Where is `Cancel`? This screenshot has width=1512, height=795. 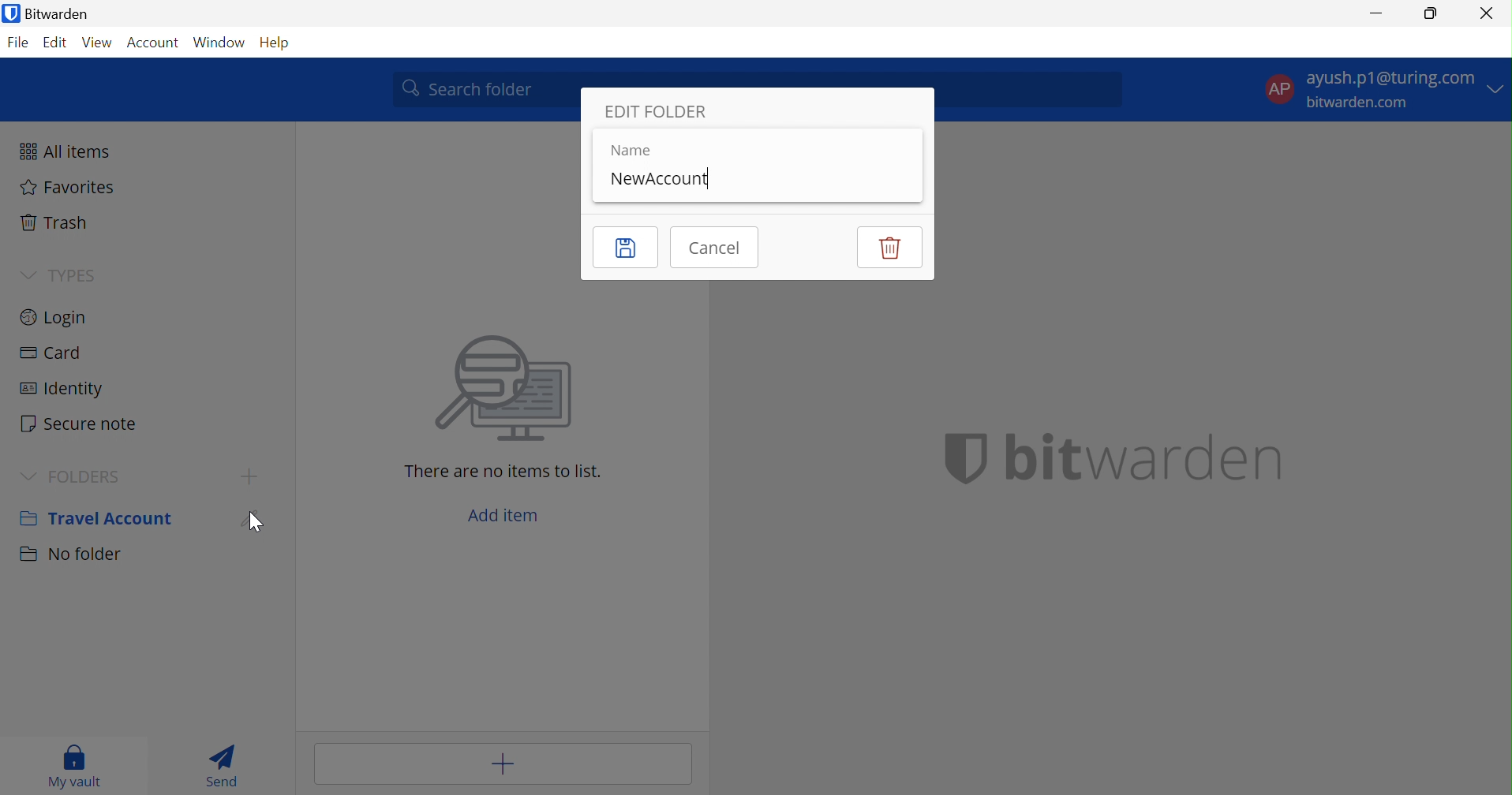 Cancel is located at coordinates (718, 247).